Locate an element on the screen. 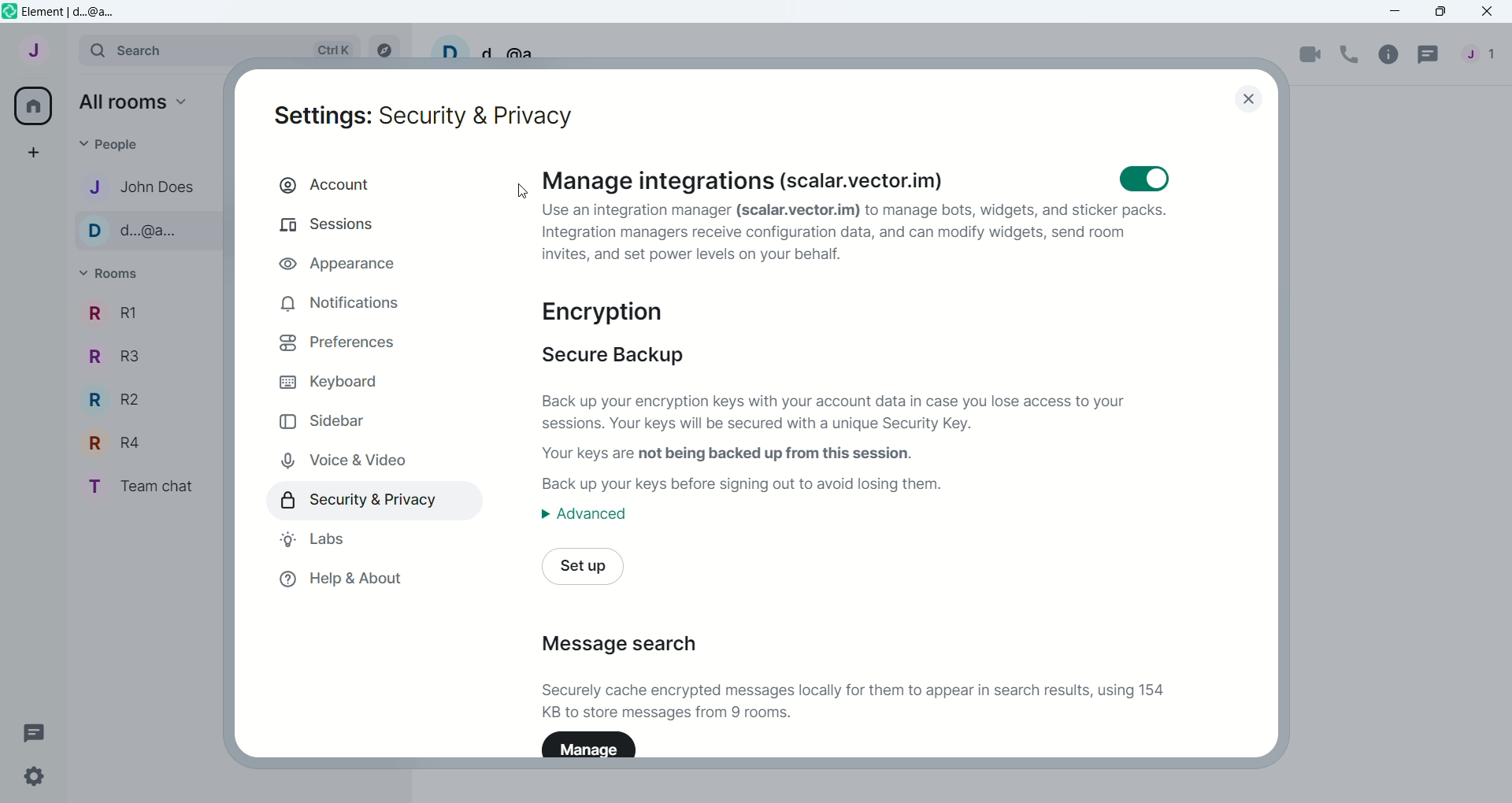  labs is located at coordinates (314, 540).